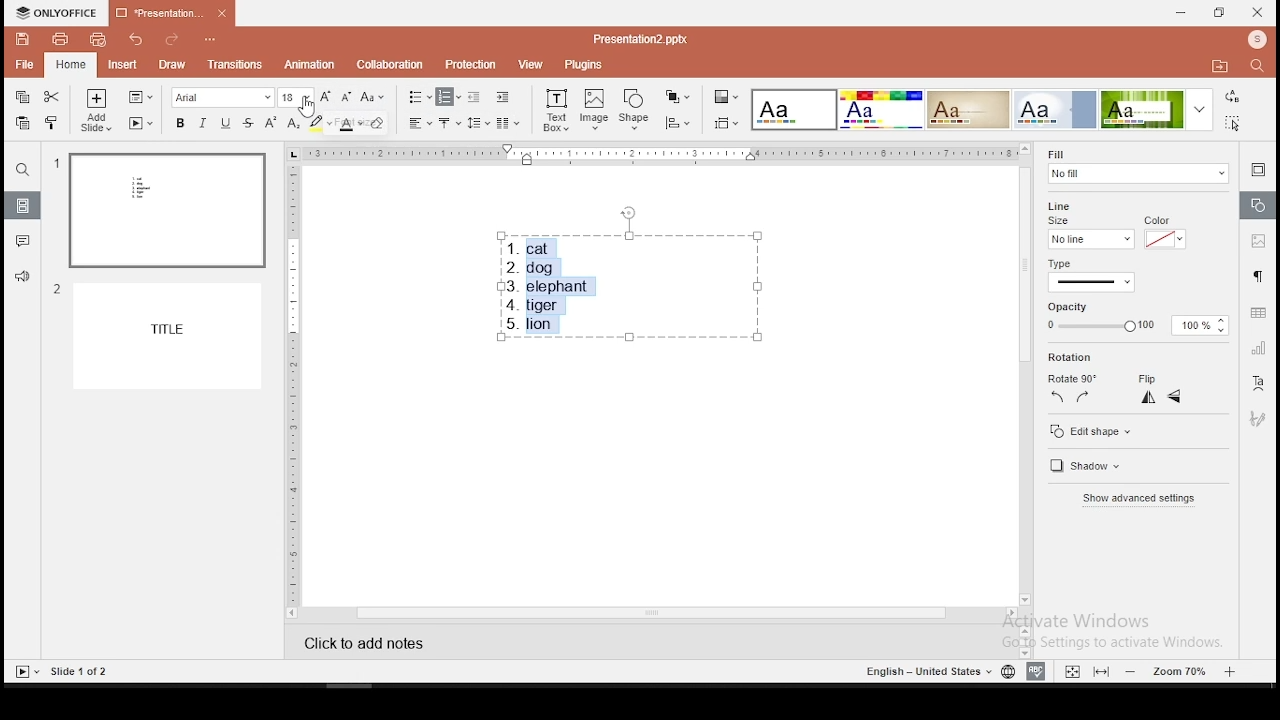  What do you see at coordinates (160, 210) in the screenshot?
I see `slide 1` at bounding box center [160, 210].